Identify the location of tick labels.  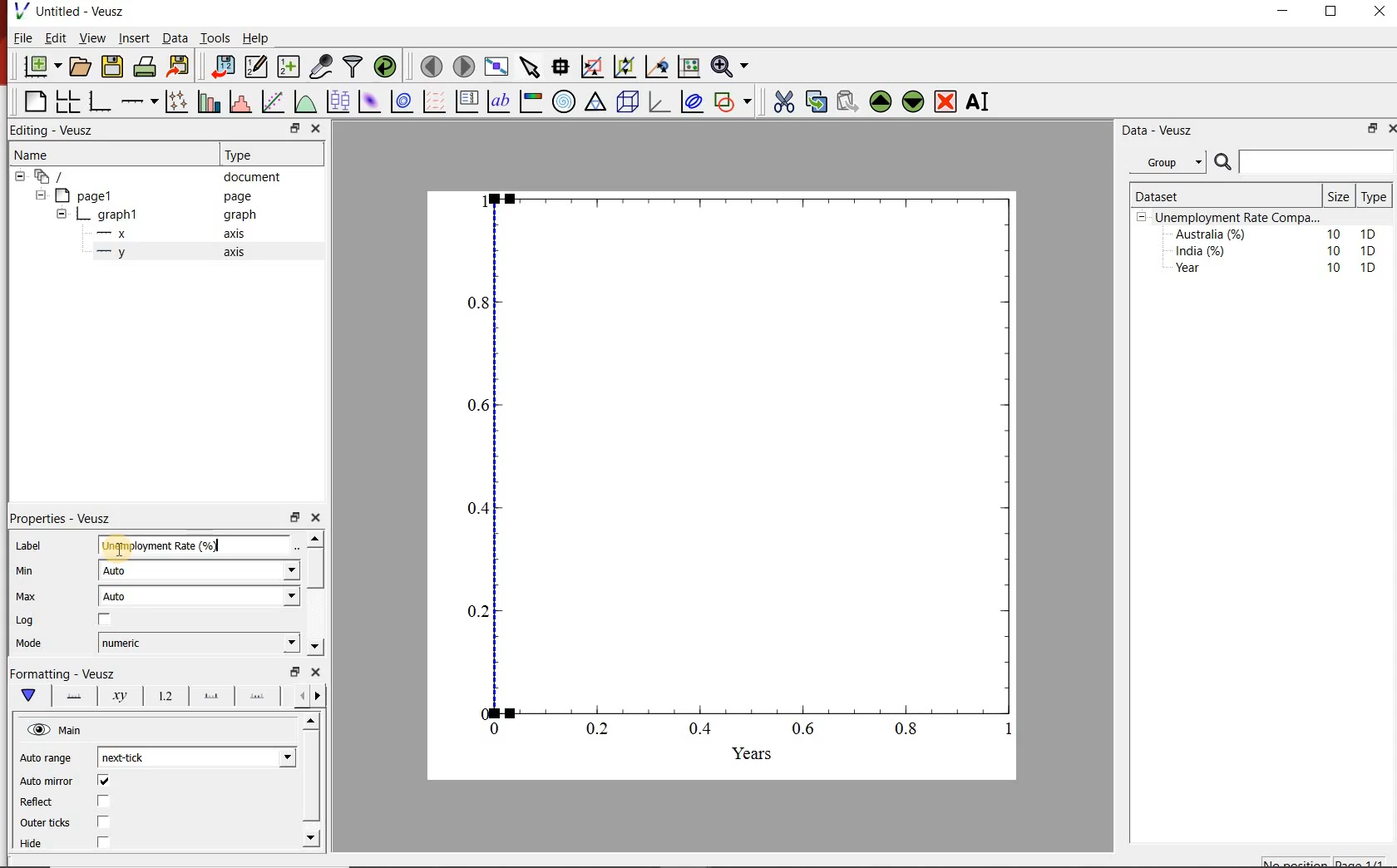
(166, 697).